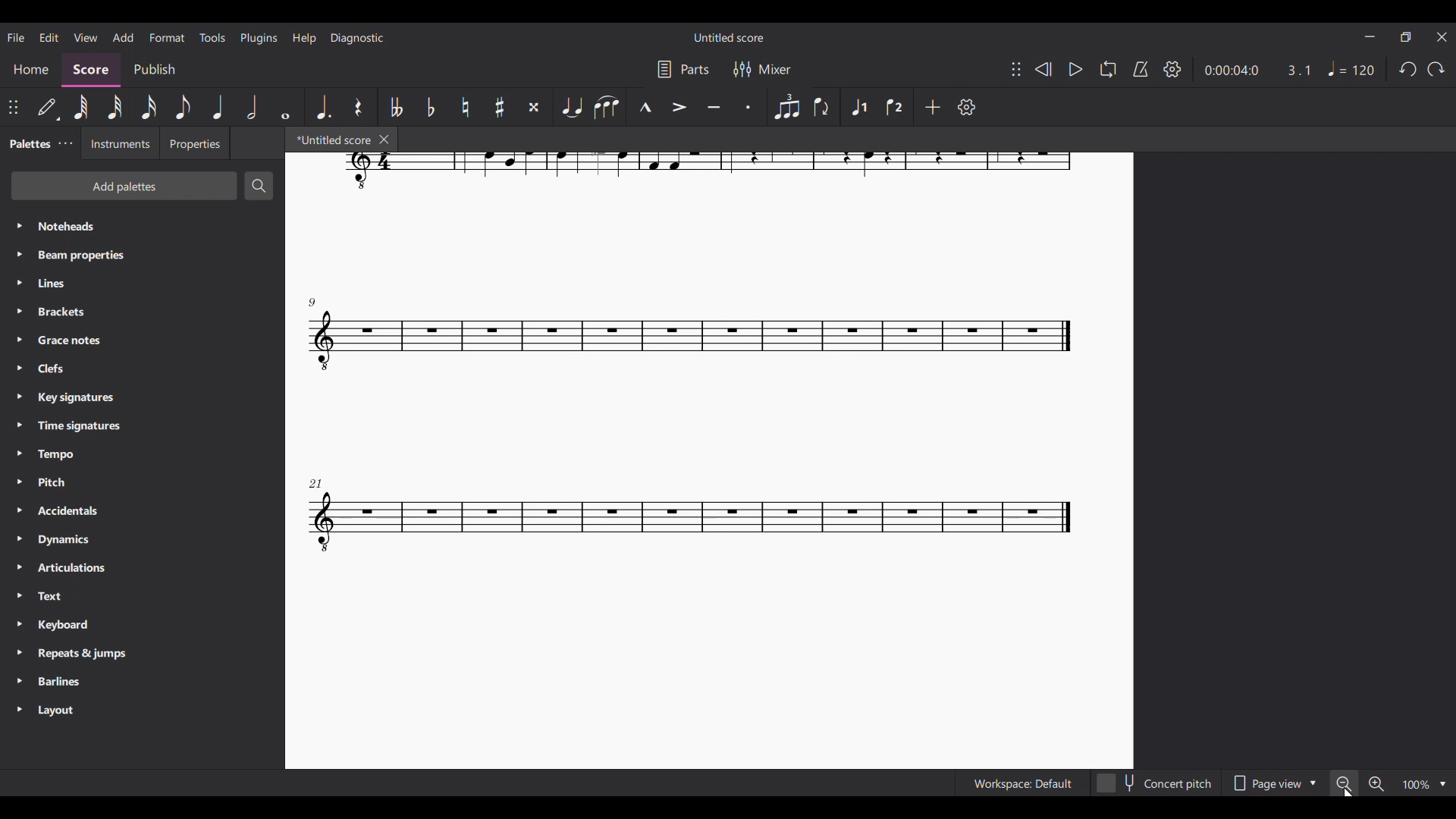 Image resolution: width=1456 pixels, height=819 pixels. What do you see at coordinates (1298, 70) in the screenshot?
I see `Current ratio` at bounding box center [1298, 70].